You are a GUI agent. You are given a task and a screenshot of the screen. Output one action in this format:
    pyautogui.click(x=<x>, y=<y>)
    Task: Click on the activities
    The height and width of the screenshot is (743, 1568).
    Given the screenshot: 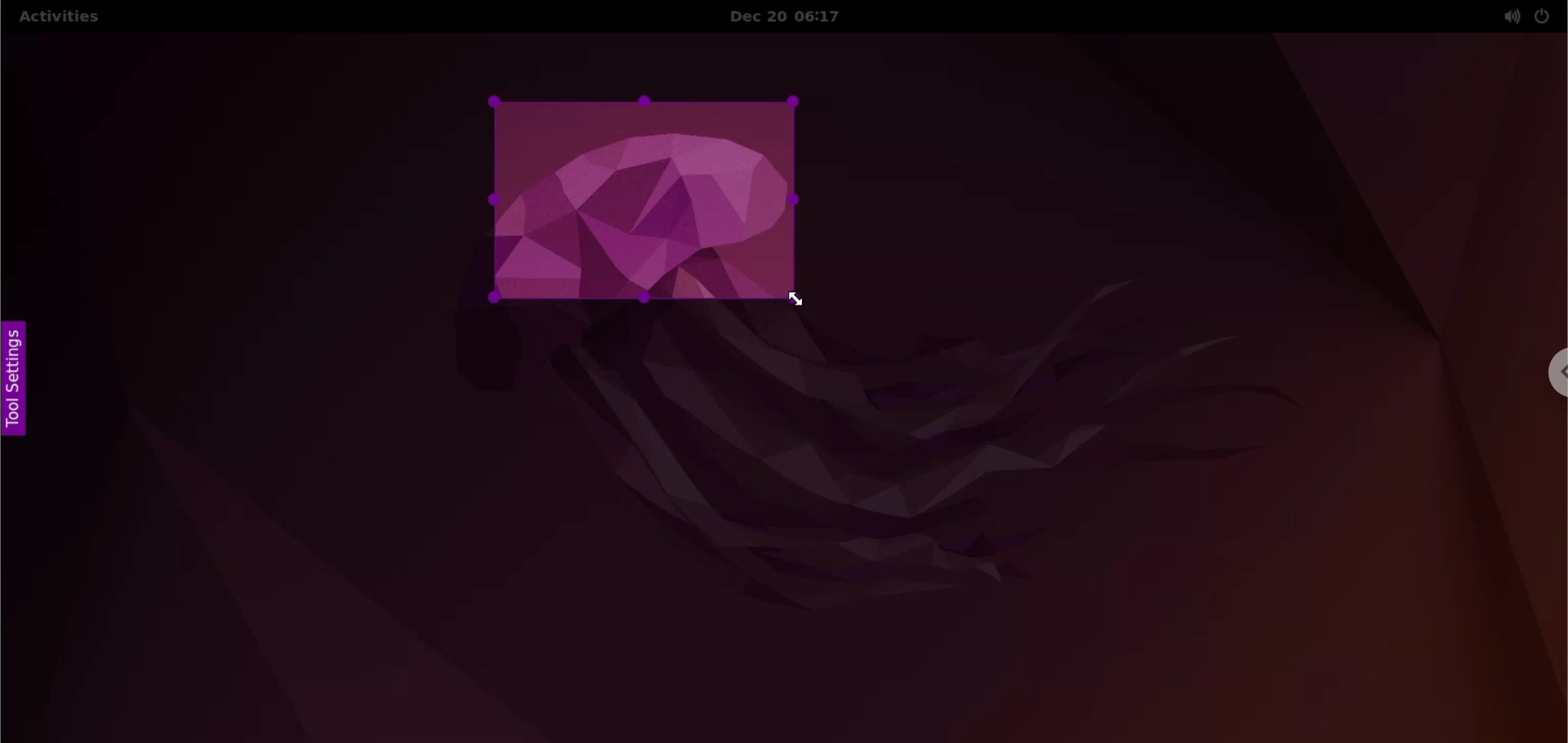 What is the action you would take?
    pyautogui.click(x=58, y=19)
    